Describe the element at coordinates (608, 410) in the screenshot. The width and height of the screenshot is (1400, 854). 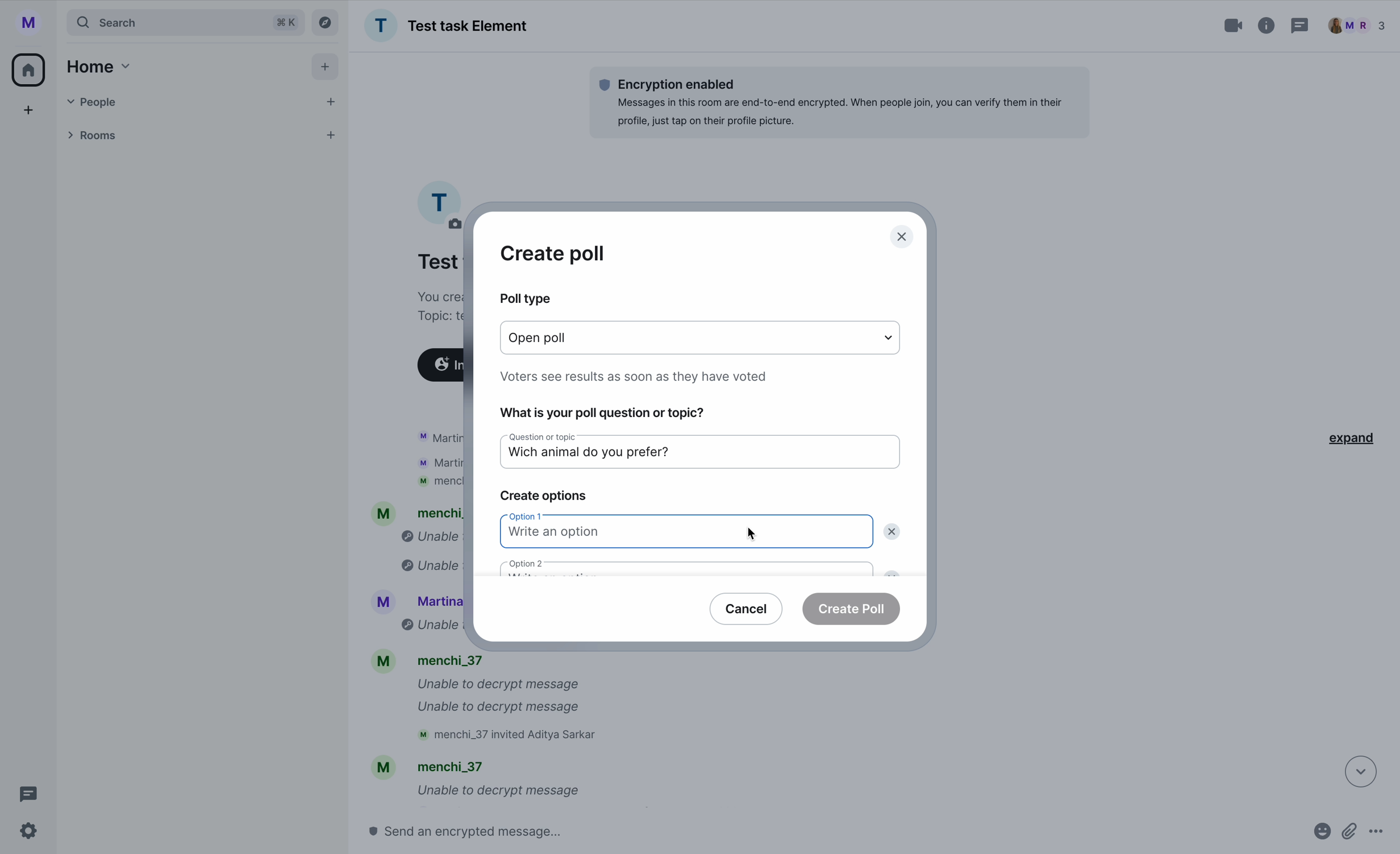
I see `what is your poll question or topic?` at that location.